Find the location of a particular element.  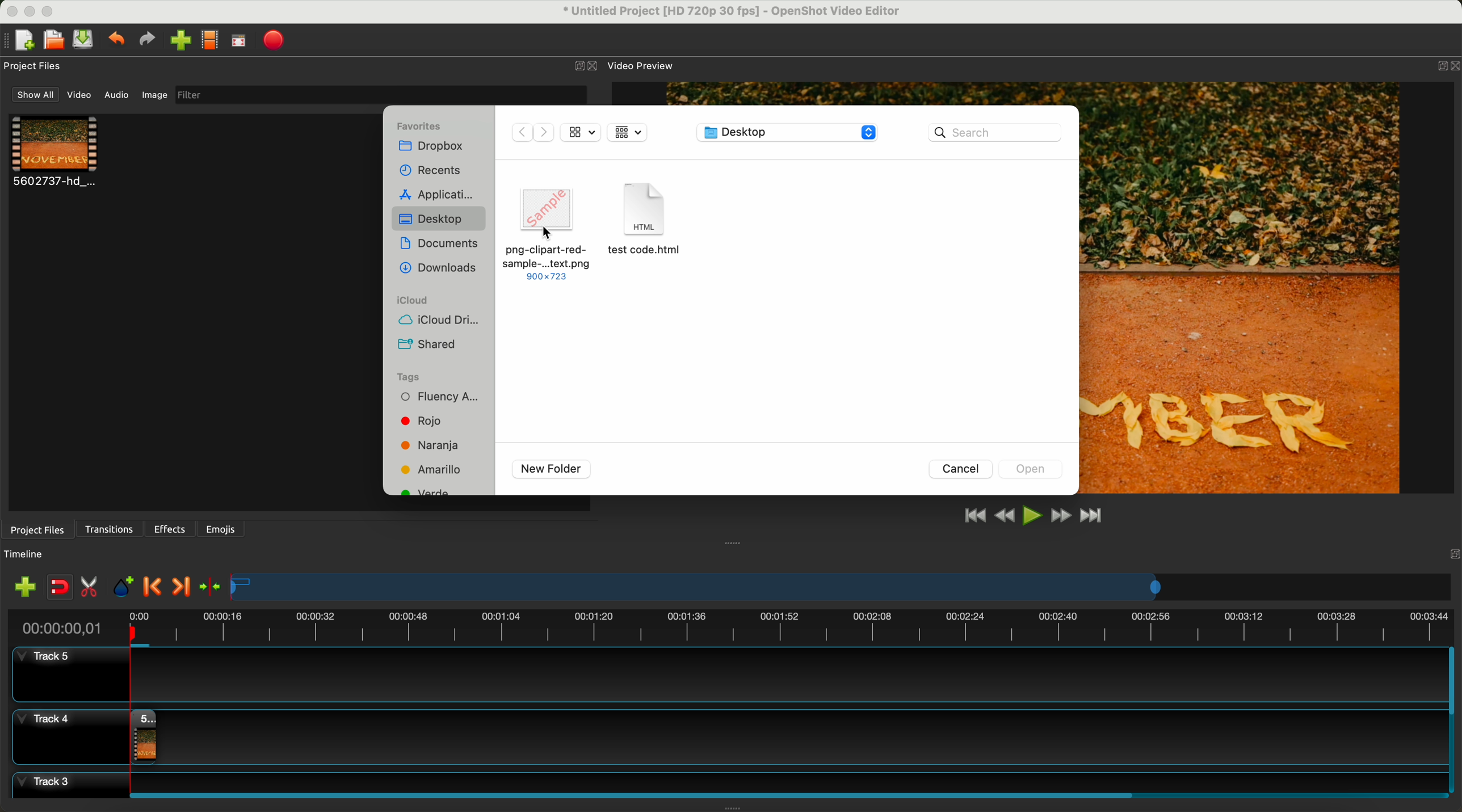

iclous is located at coordinates (413, 301).